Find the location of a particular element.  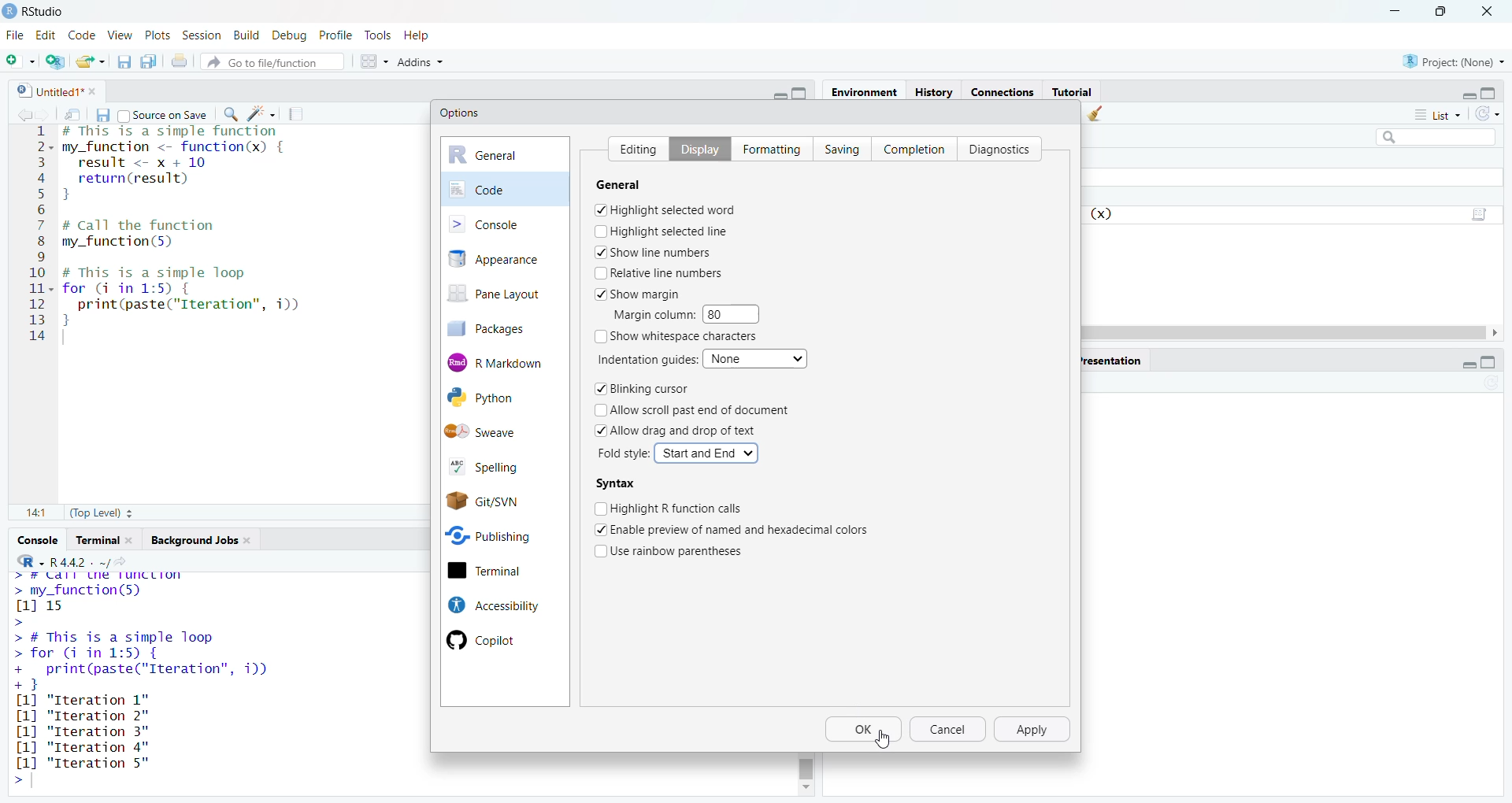

display is located at coordinates (694, 148).